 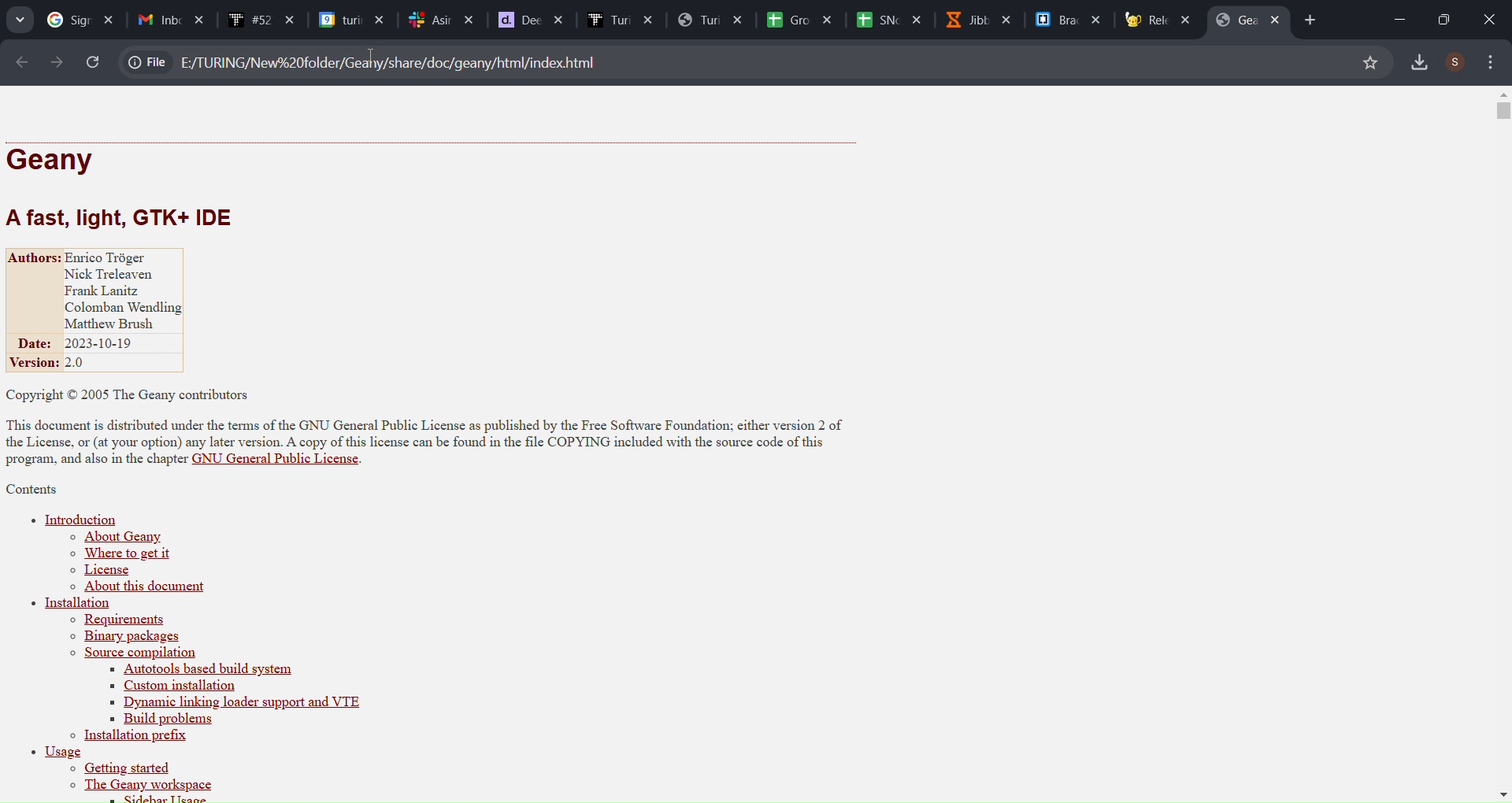 I want to click on next, so click(x=55, y=62).